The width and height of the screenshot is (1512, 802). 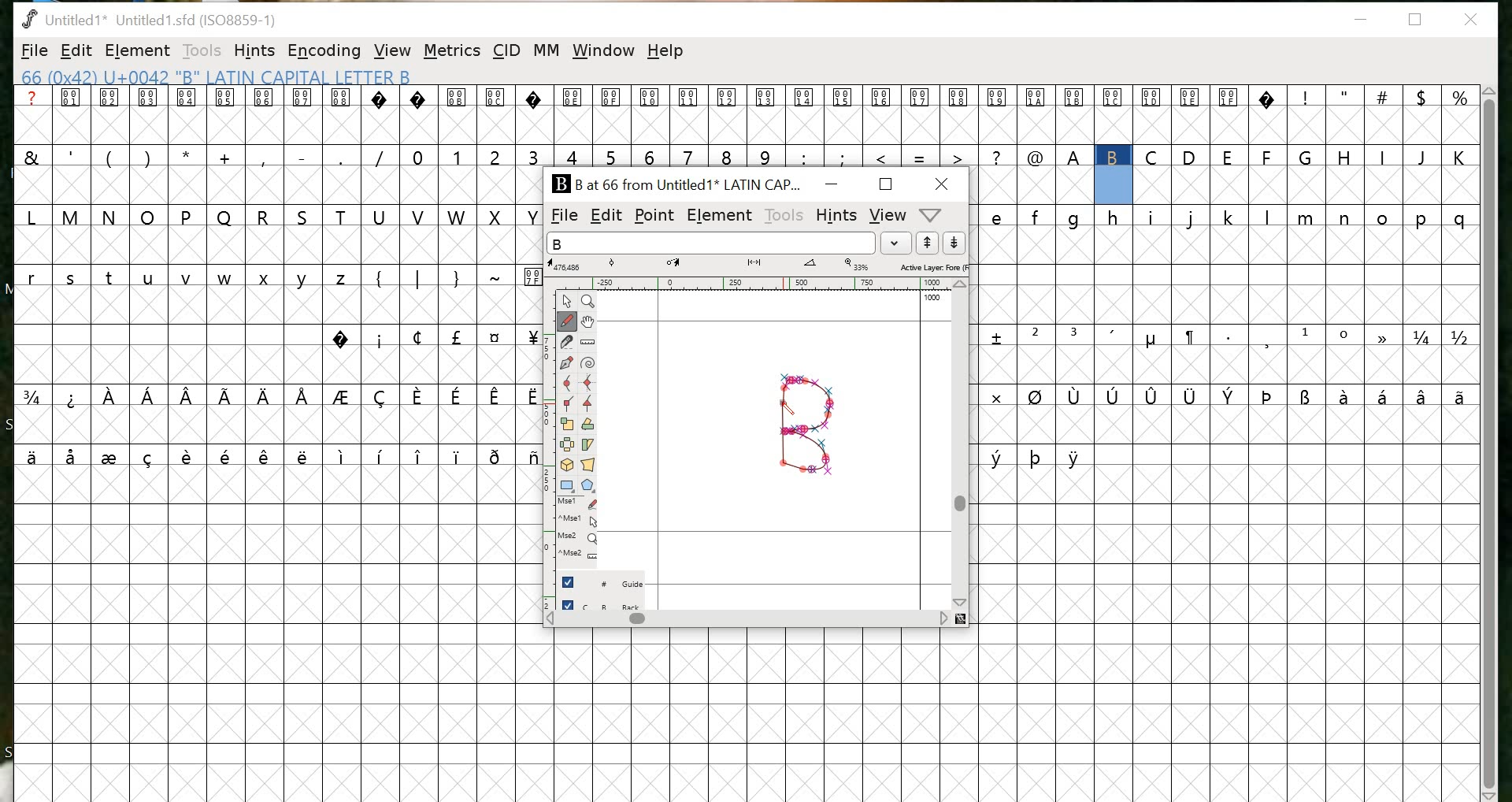 I want to click on pen tool/ cursor location, so click(x=789, y=407).